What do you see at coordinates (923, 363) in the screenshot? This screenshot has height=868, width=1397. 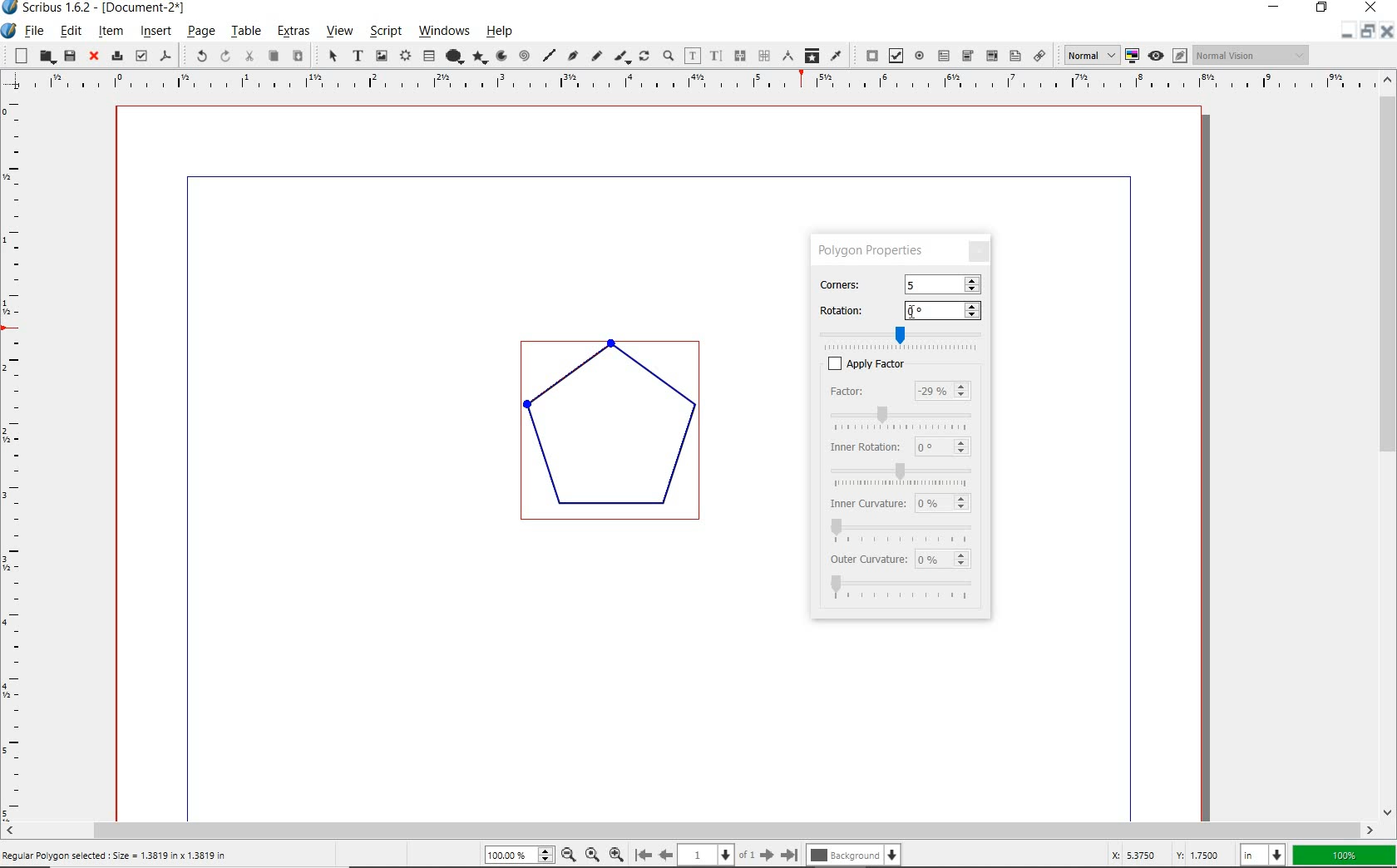 I see `APPLY FACTOR` at bounding box center [923, 363].